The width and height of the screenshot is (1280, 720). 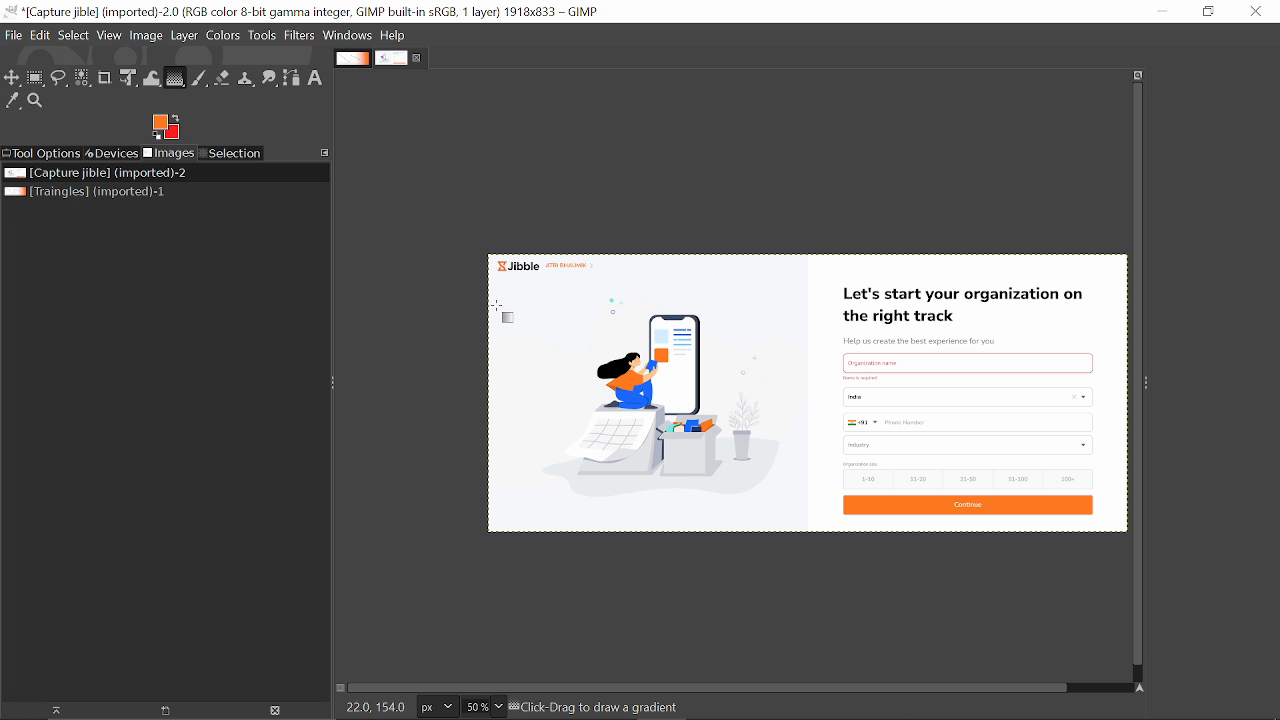 I want to click on Wrap text tool, so click(x=152, y=77).